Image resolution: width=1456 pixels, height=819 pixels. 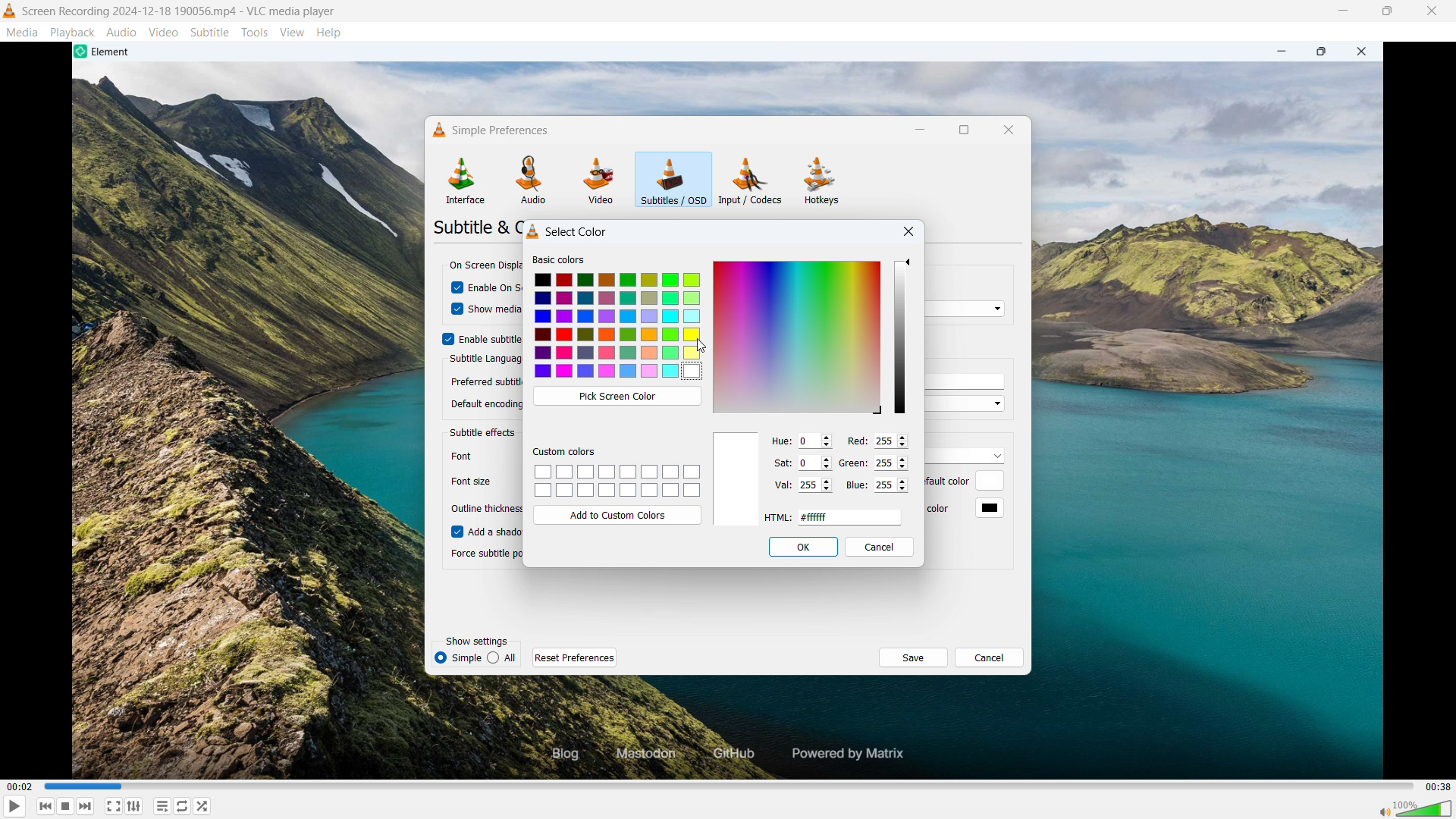 I want to click on checkbox, so click(x=452, y=531).